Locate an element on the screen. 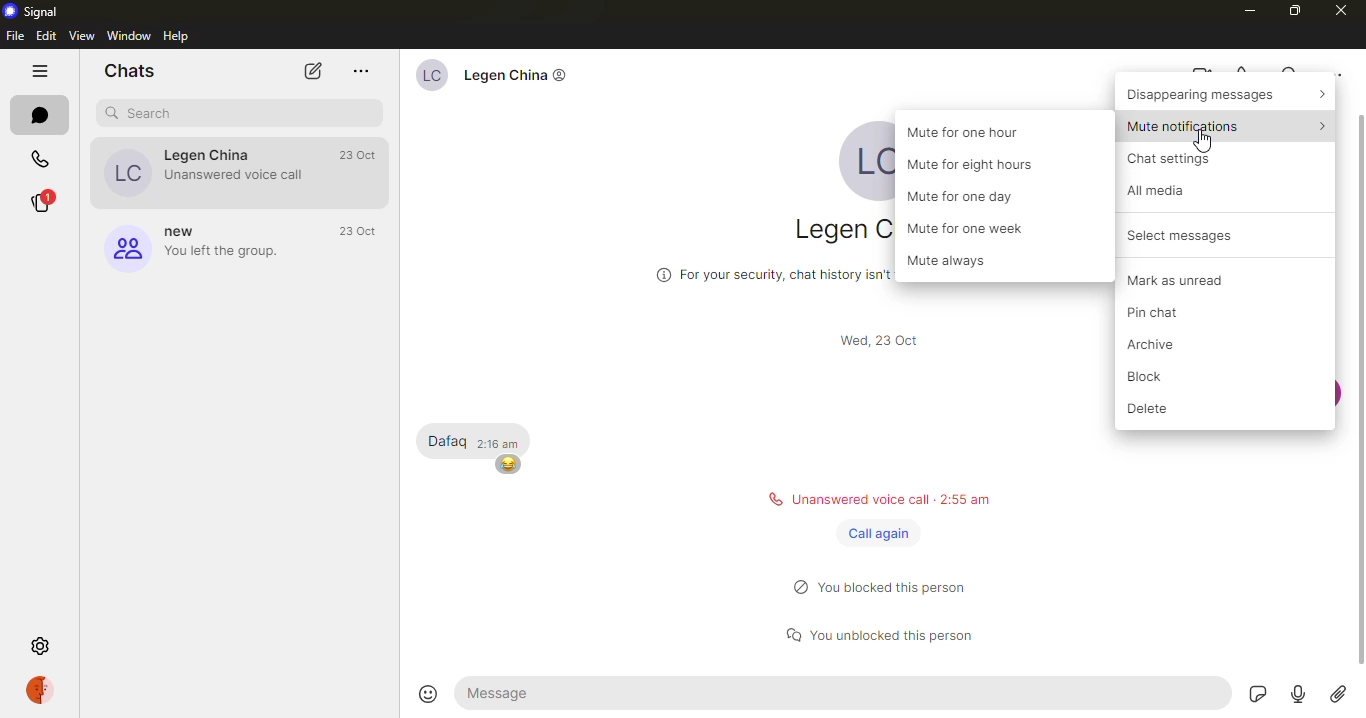  chats is located at coordinates (130, 69).